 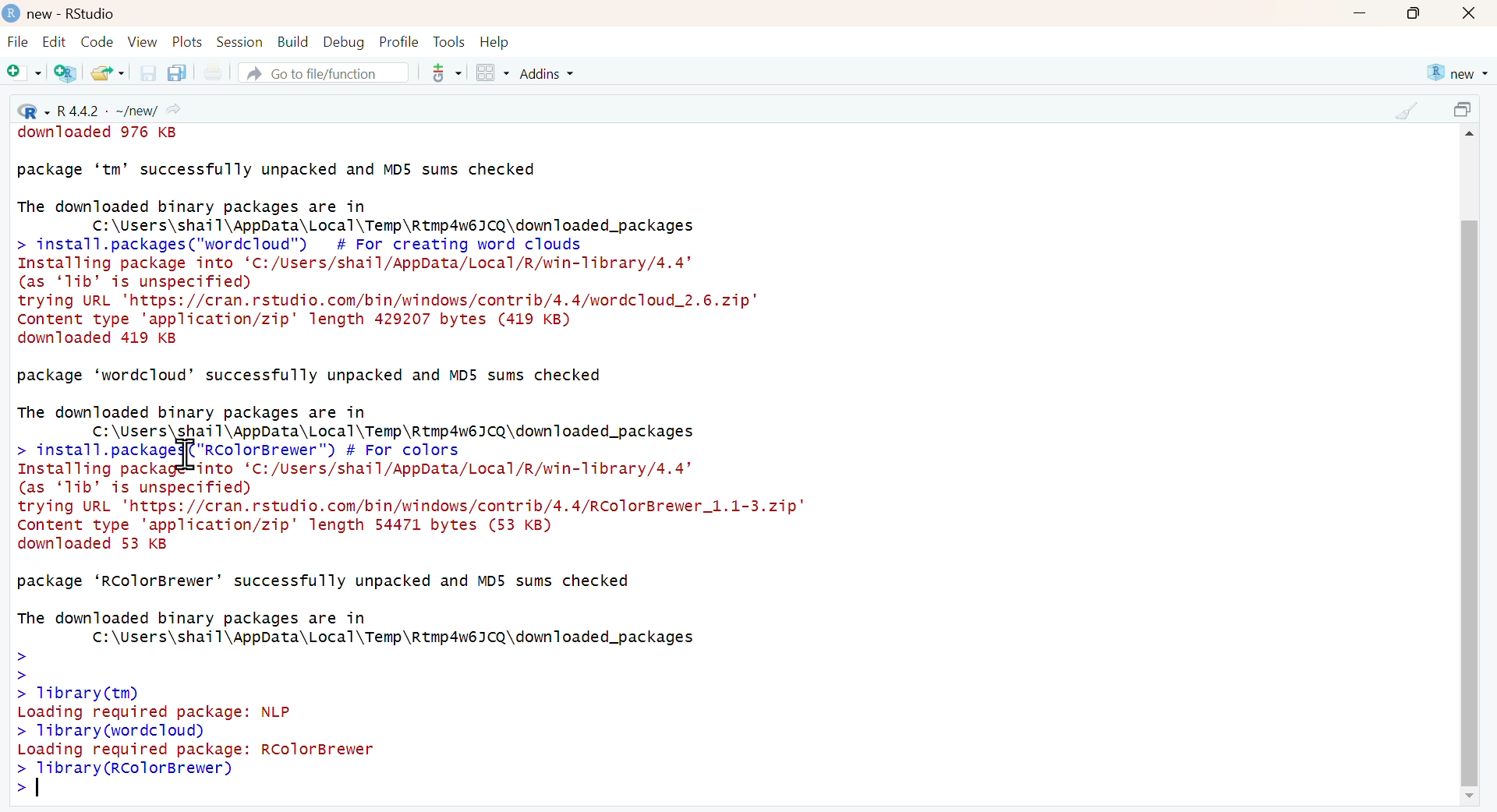 I want to click on scroll bar, so click(x=1468, y=502).